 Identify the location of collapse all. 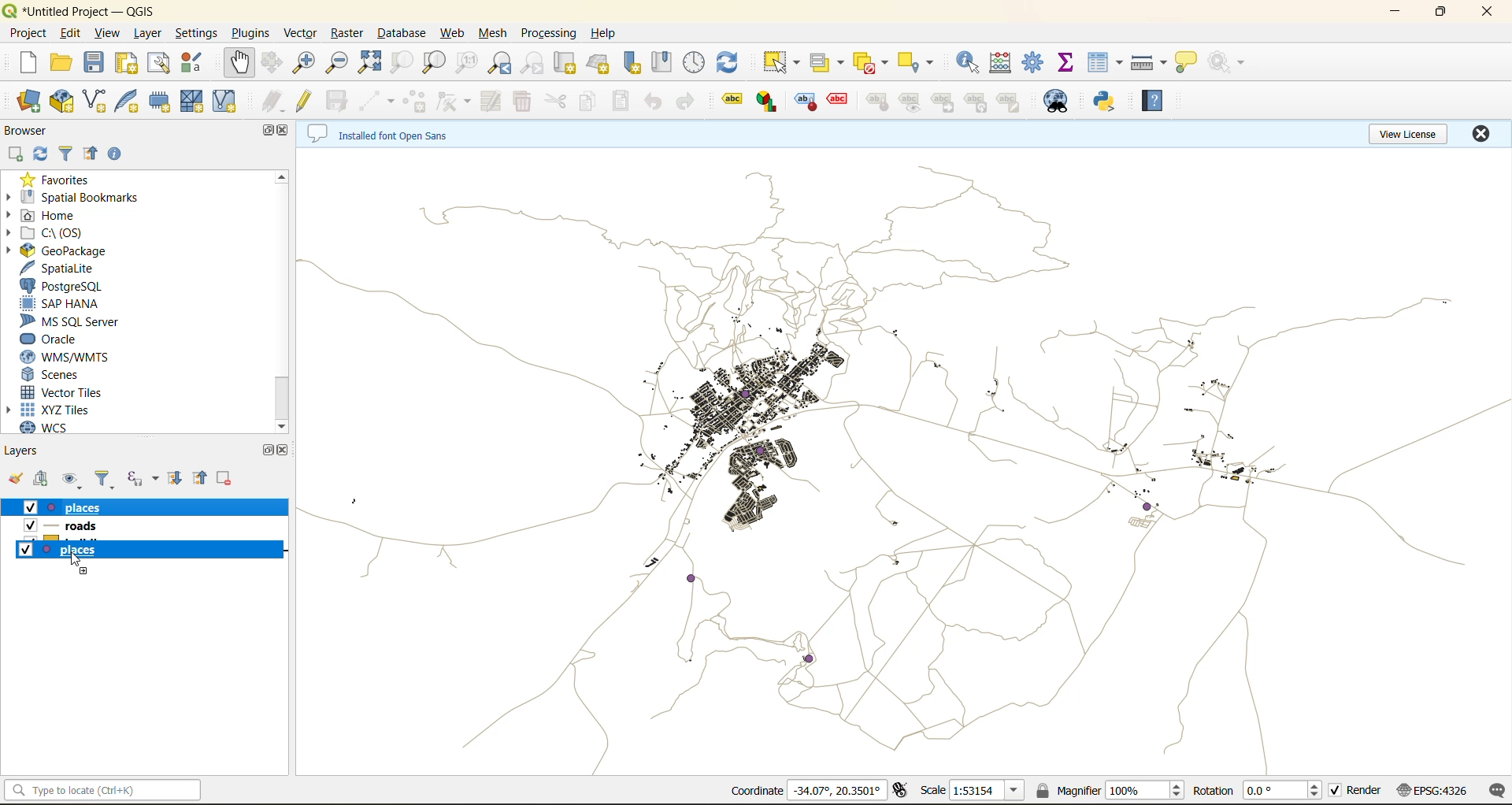
(204, 478).